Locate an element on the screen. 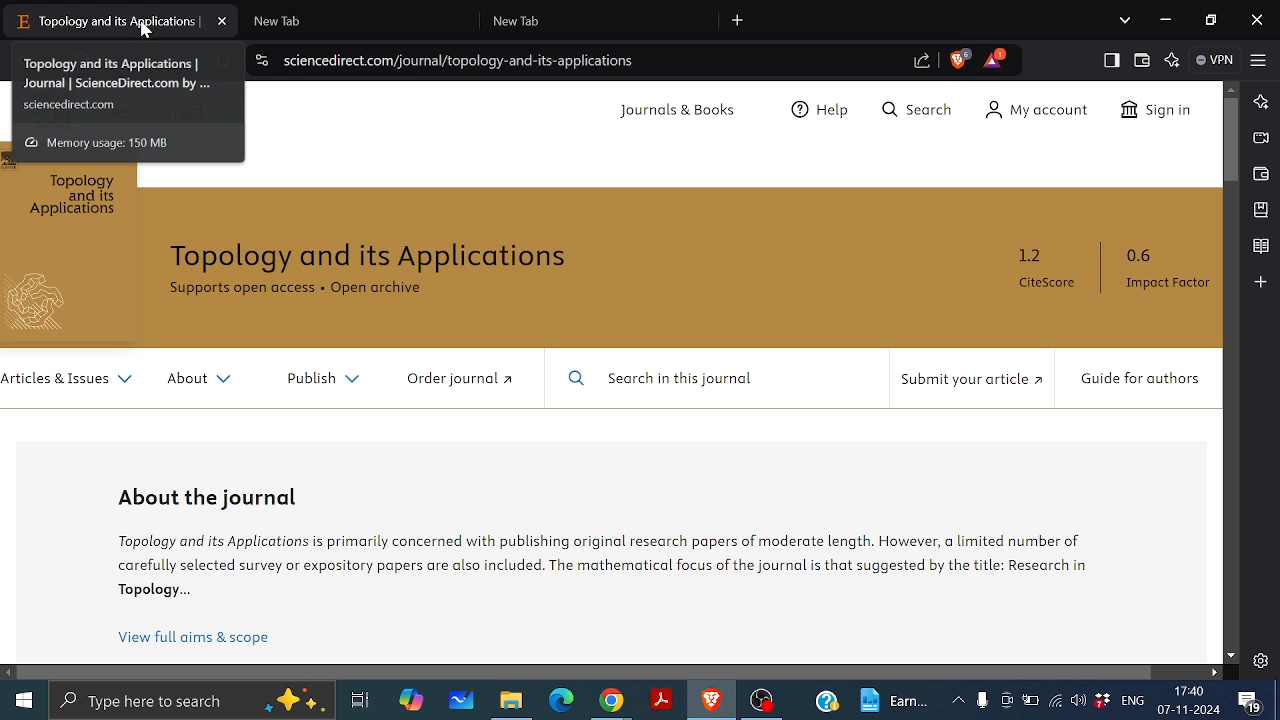  Move up is located at coordinates (1234, 88).